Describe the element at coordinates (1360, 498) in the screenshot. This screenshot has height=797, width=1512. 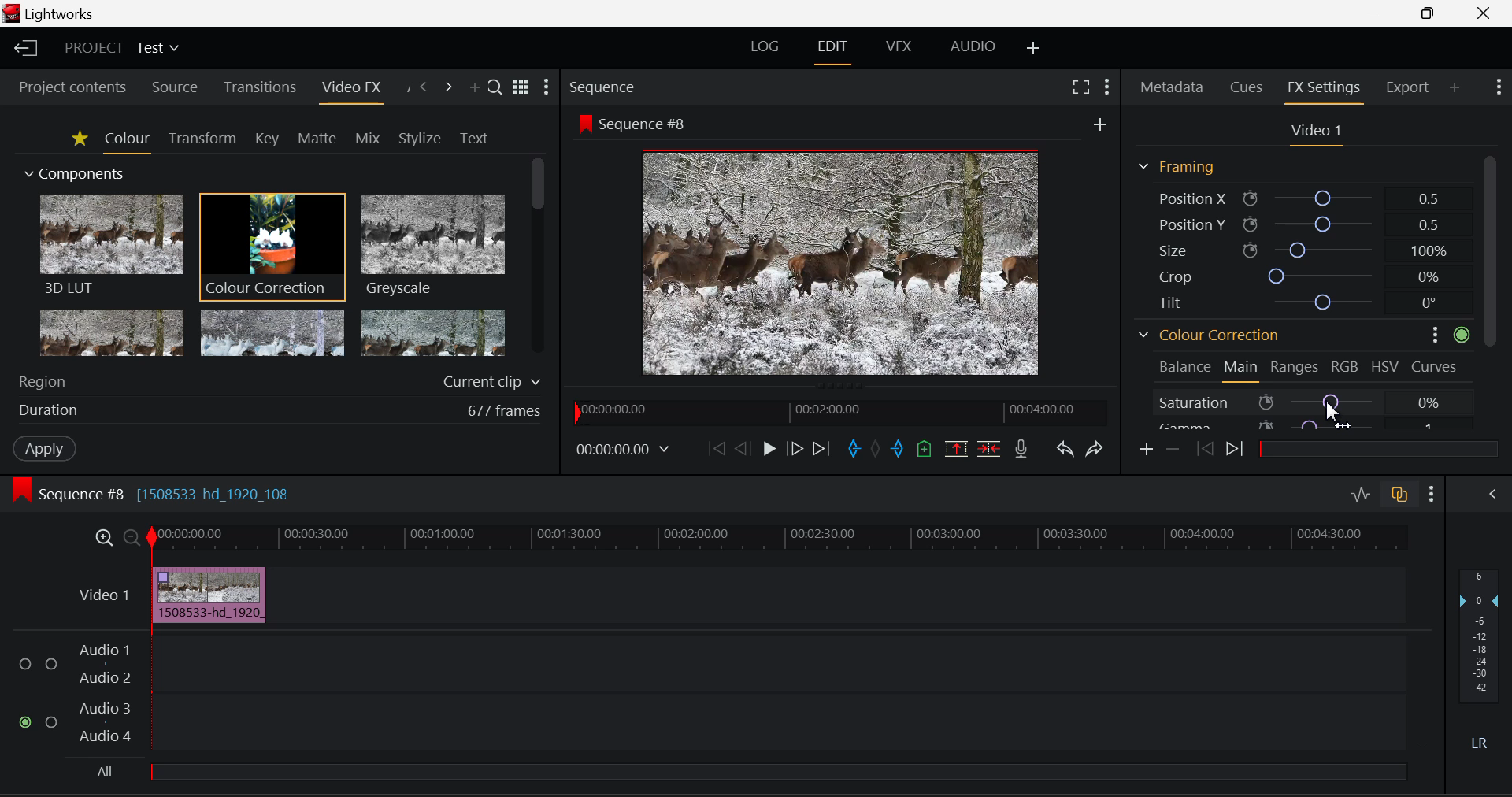
I see `Toggle Audio Levels Editing` at that location.